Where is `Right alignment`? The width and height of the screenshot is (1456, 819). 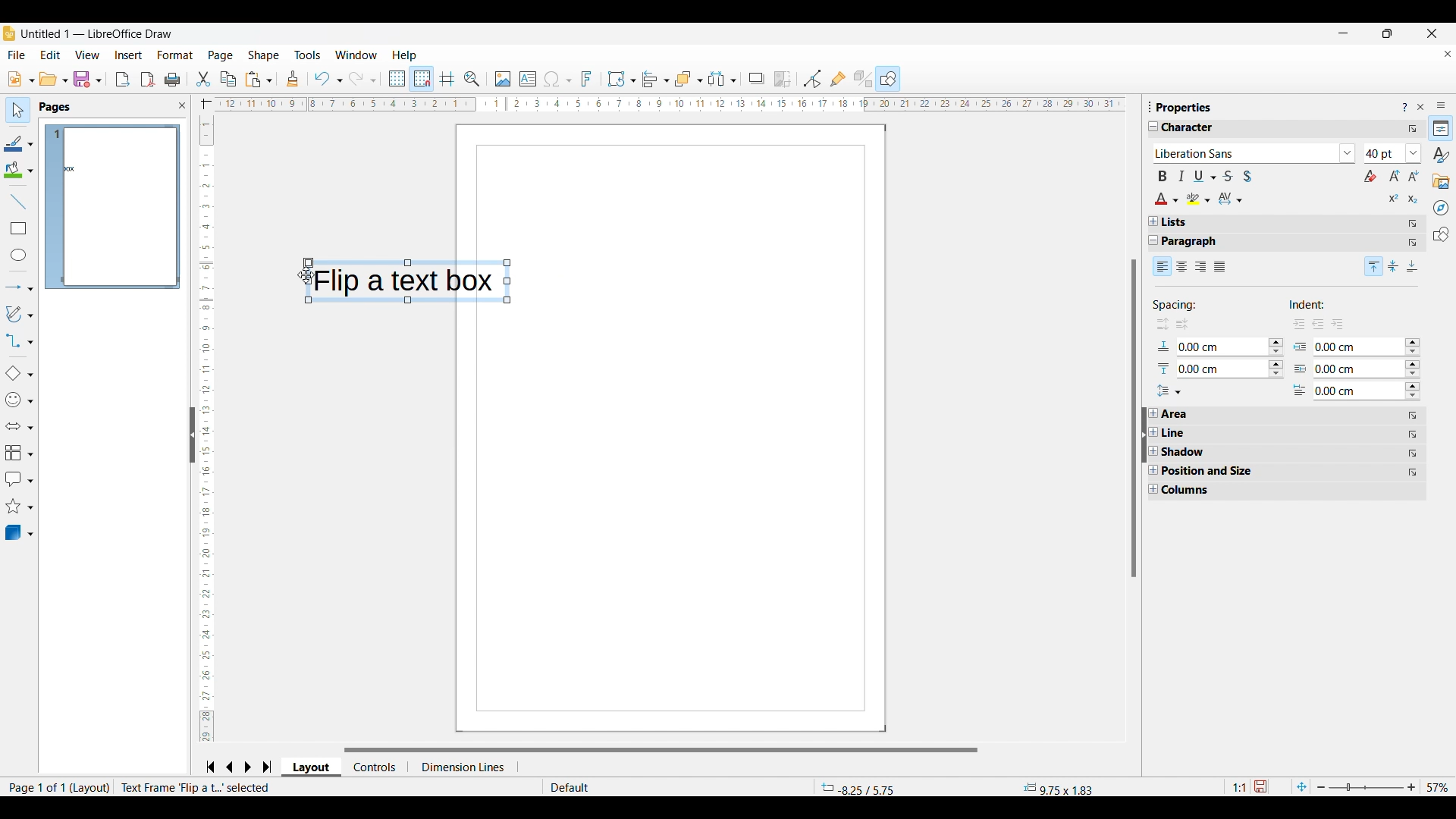 Right alignment is located at coordinates (1200, 268).